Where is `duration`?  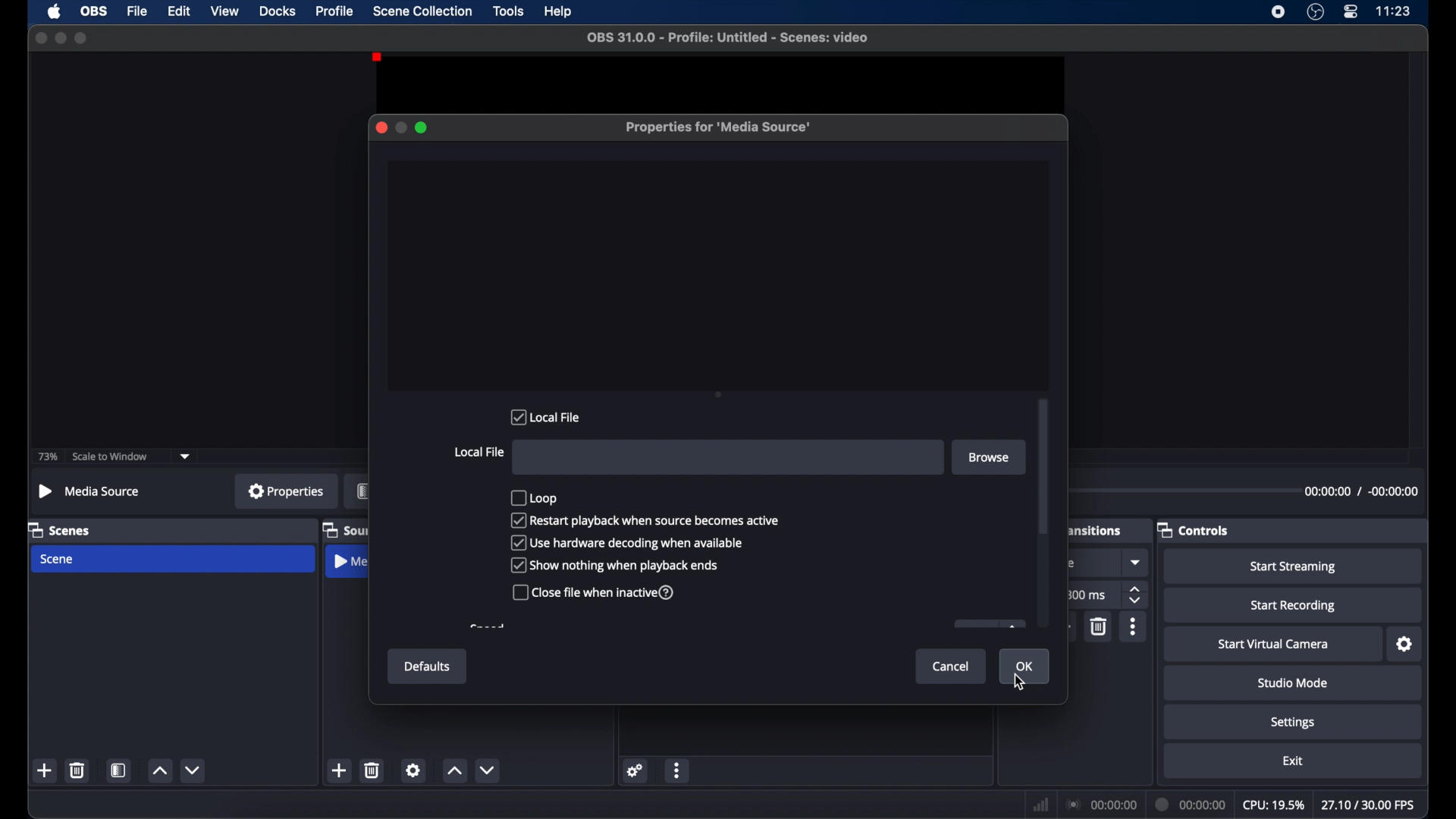 duration is located at coordinates (1192, 805).